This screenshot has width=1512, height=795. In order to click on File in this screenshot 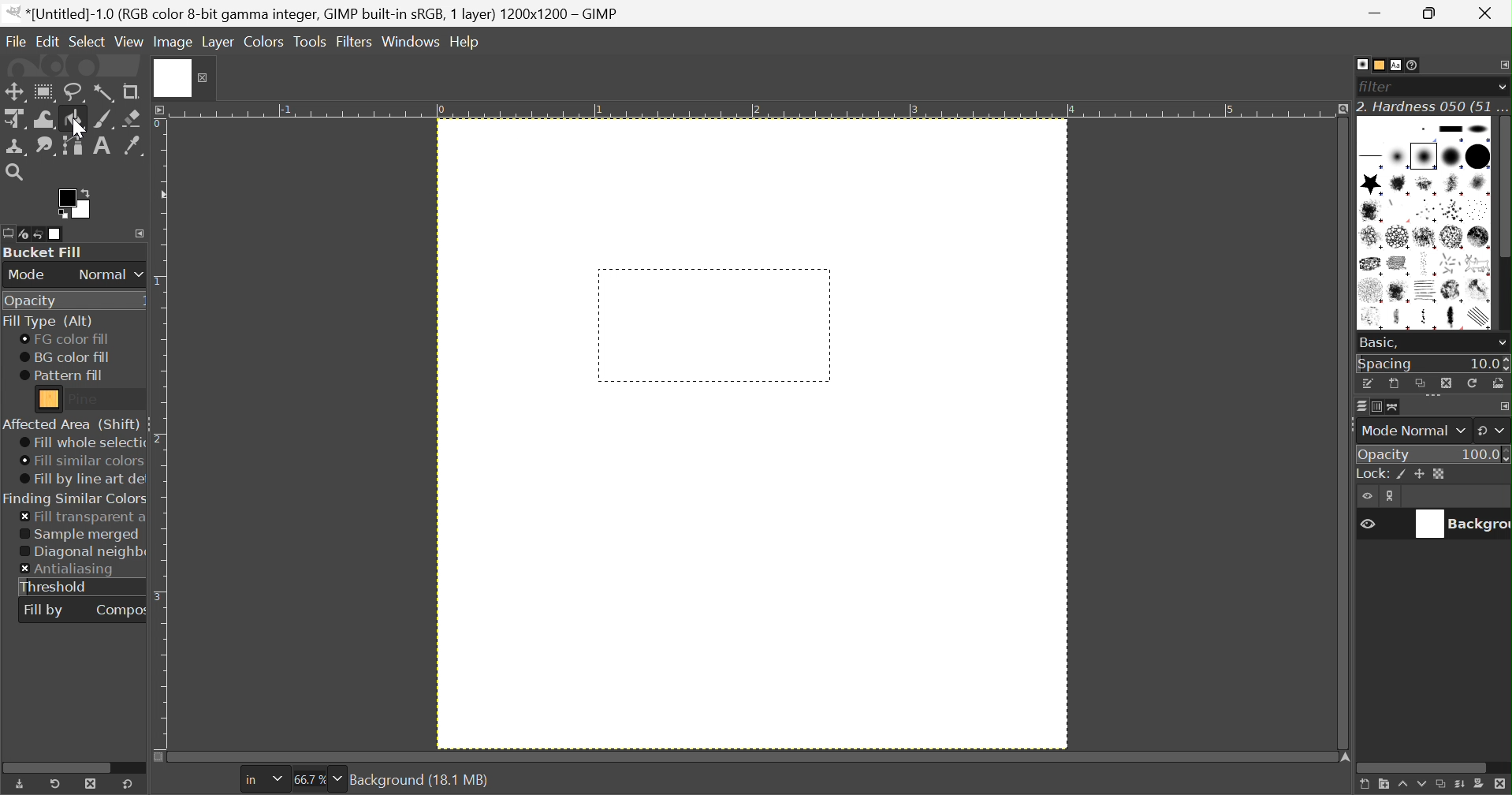, I will do `click(14, 38)`.